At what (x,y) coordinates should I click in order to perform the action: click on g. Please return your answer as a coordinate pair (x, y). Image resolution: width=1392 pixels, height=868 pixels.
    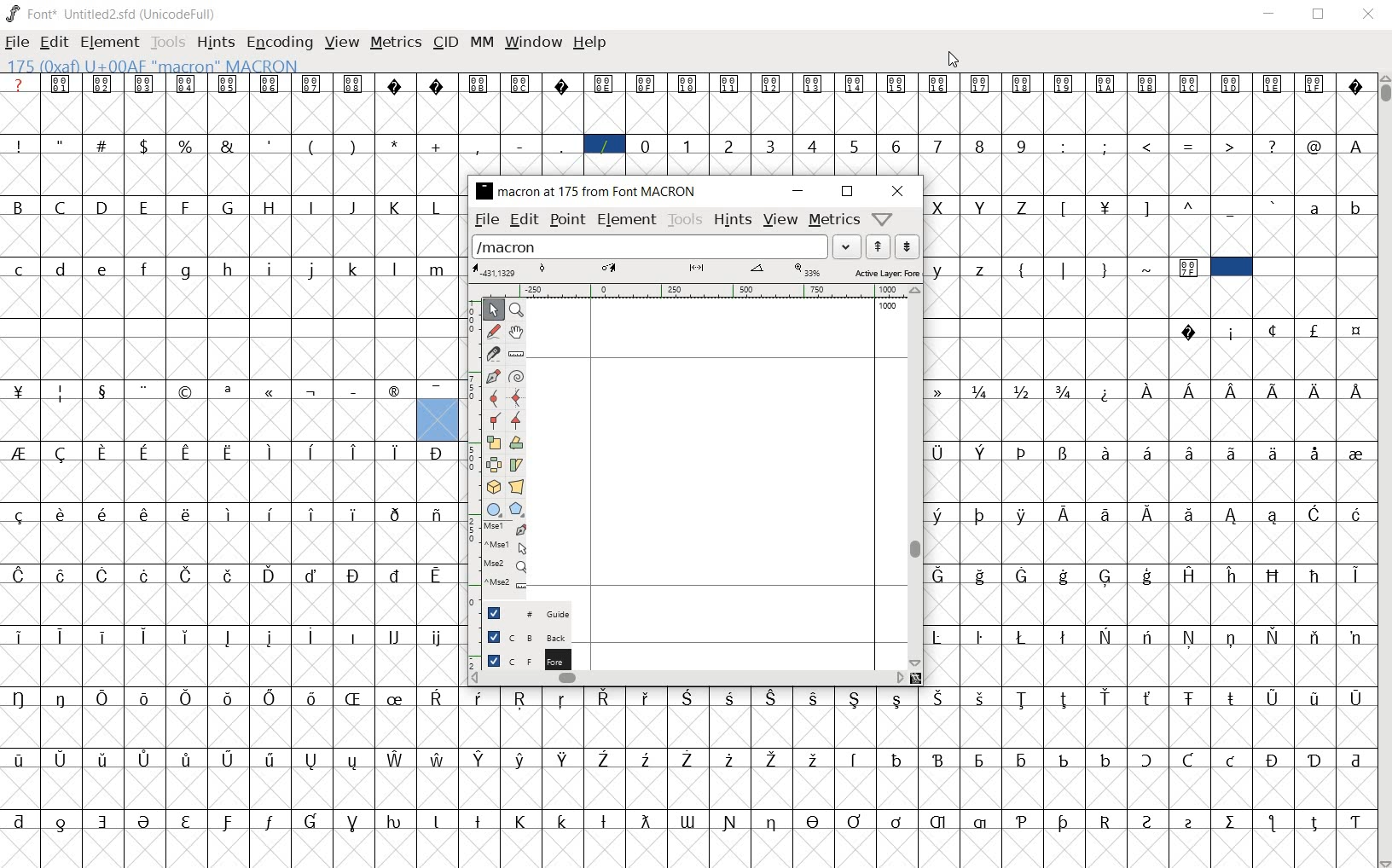
    Looking at the image, I should click on (188, 269).